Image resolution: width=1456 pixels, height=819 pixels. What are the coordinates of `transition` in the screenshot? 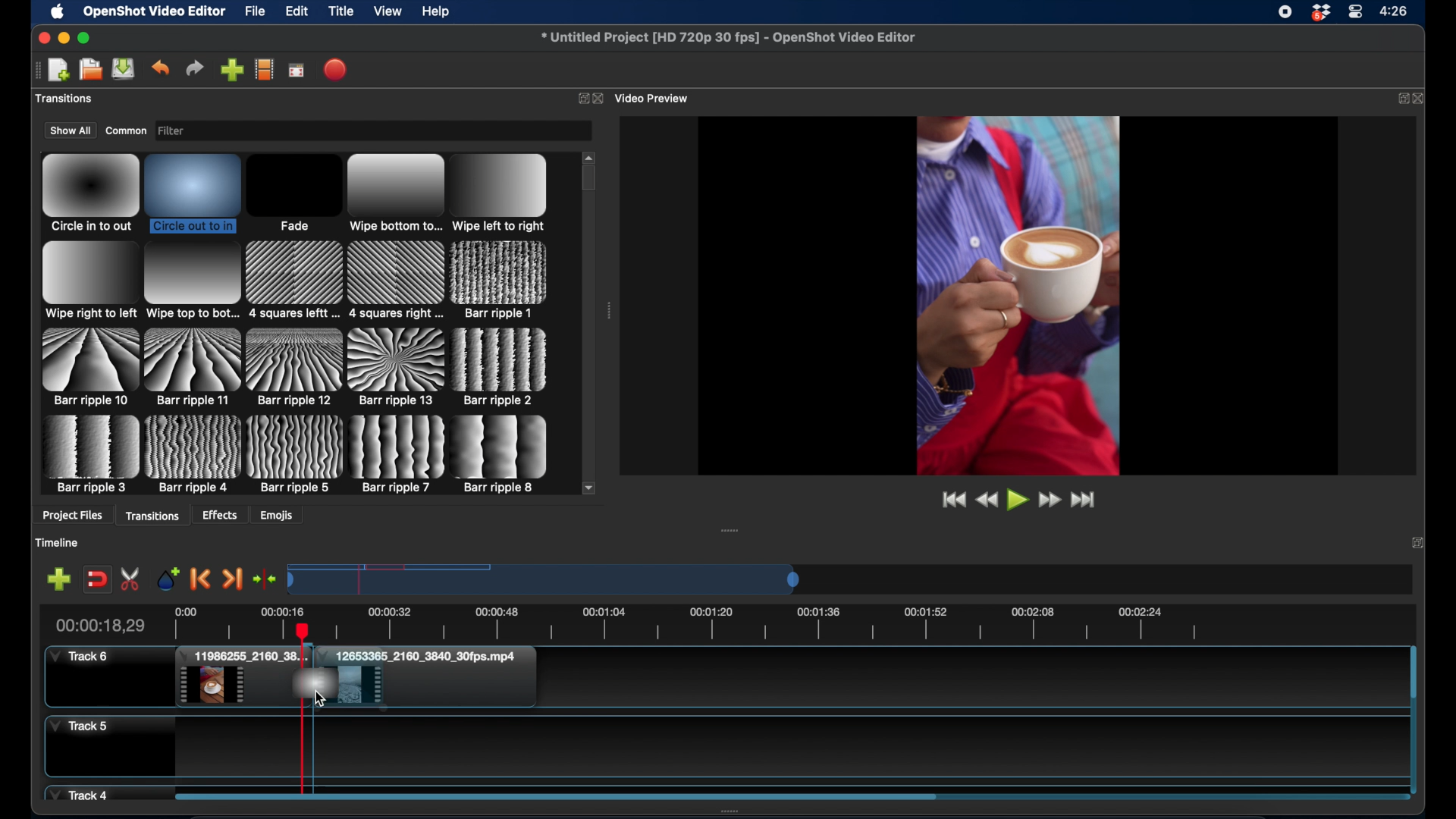 It's located at (89, 281).